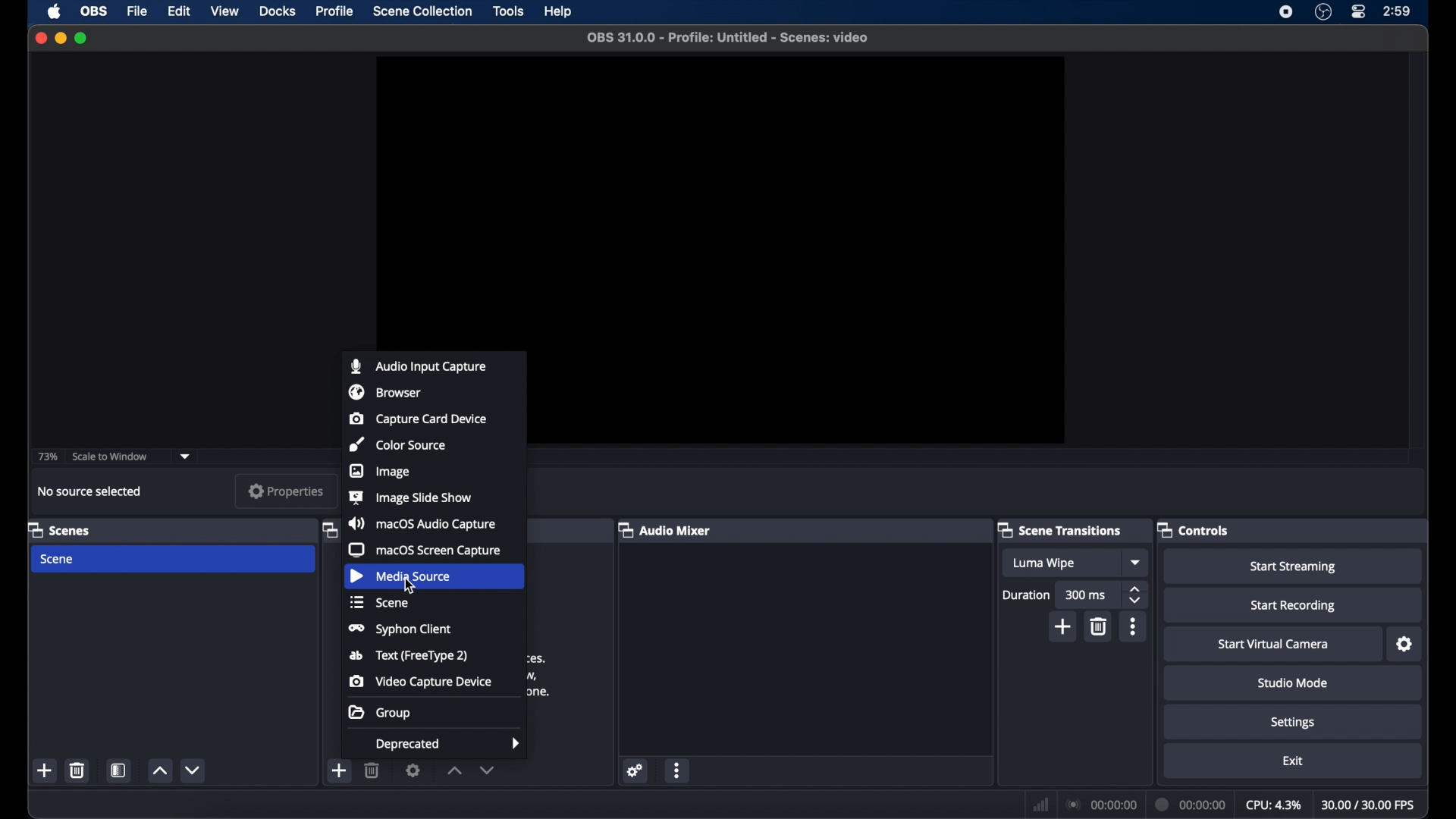 This screenshot has height=819, width=1456. What do you see at coordinates (384, 392) in the screenshot?
I see `browser` at bounding box center [384, 392].